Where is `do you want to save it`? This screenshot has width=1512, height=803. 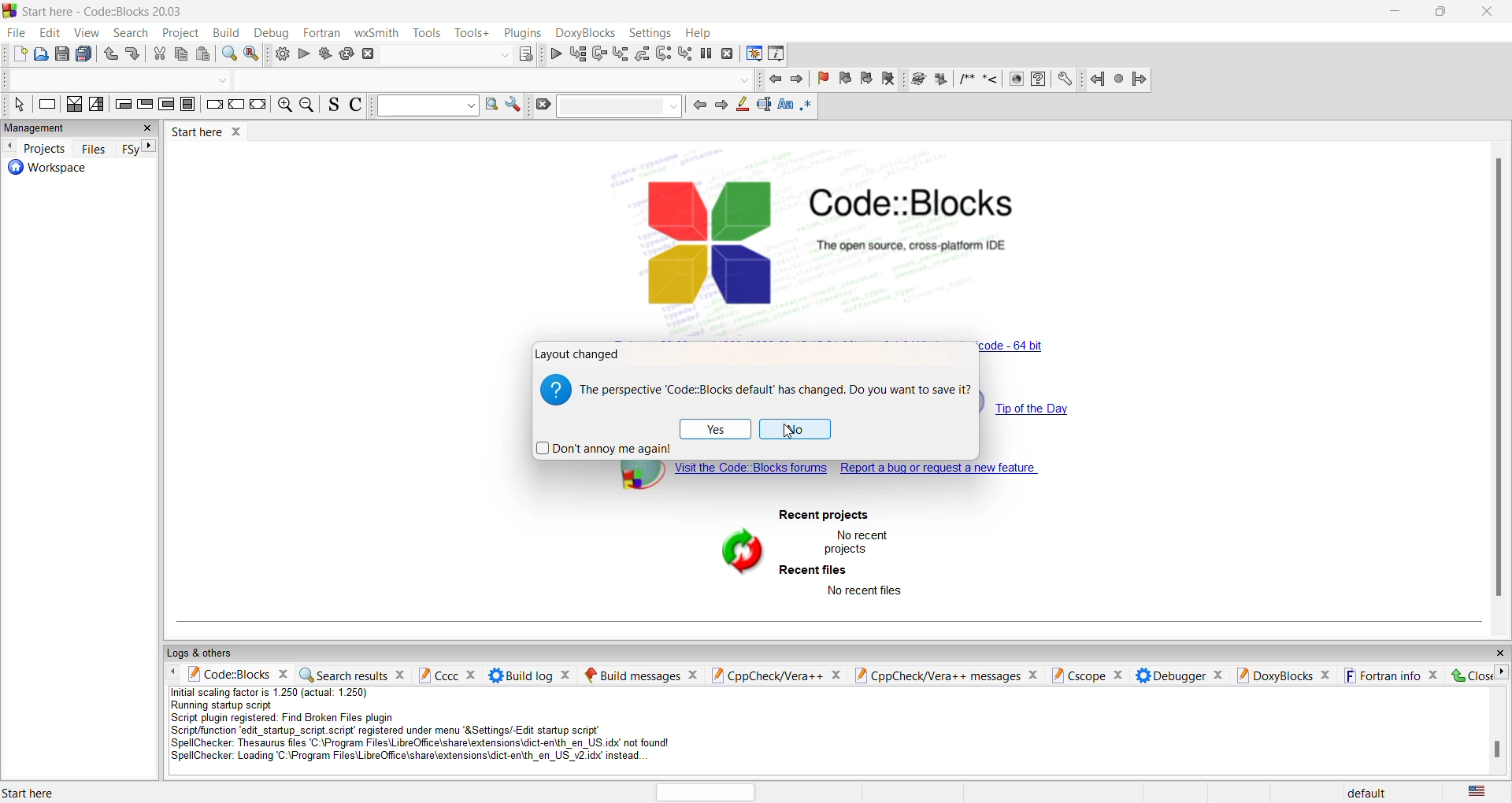 do you want to save it is located at coordinates (775, 390).